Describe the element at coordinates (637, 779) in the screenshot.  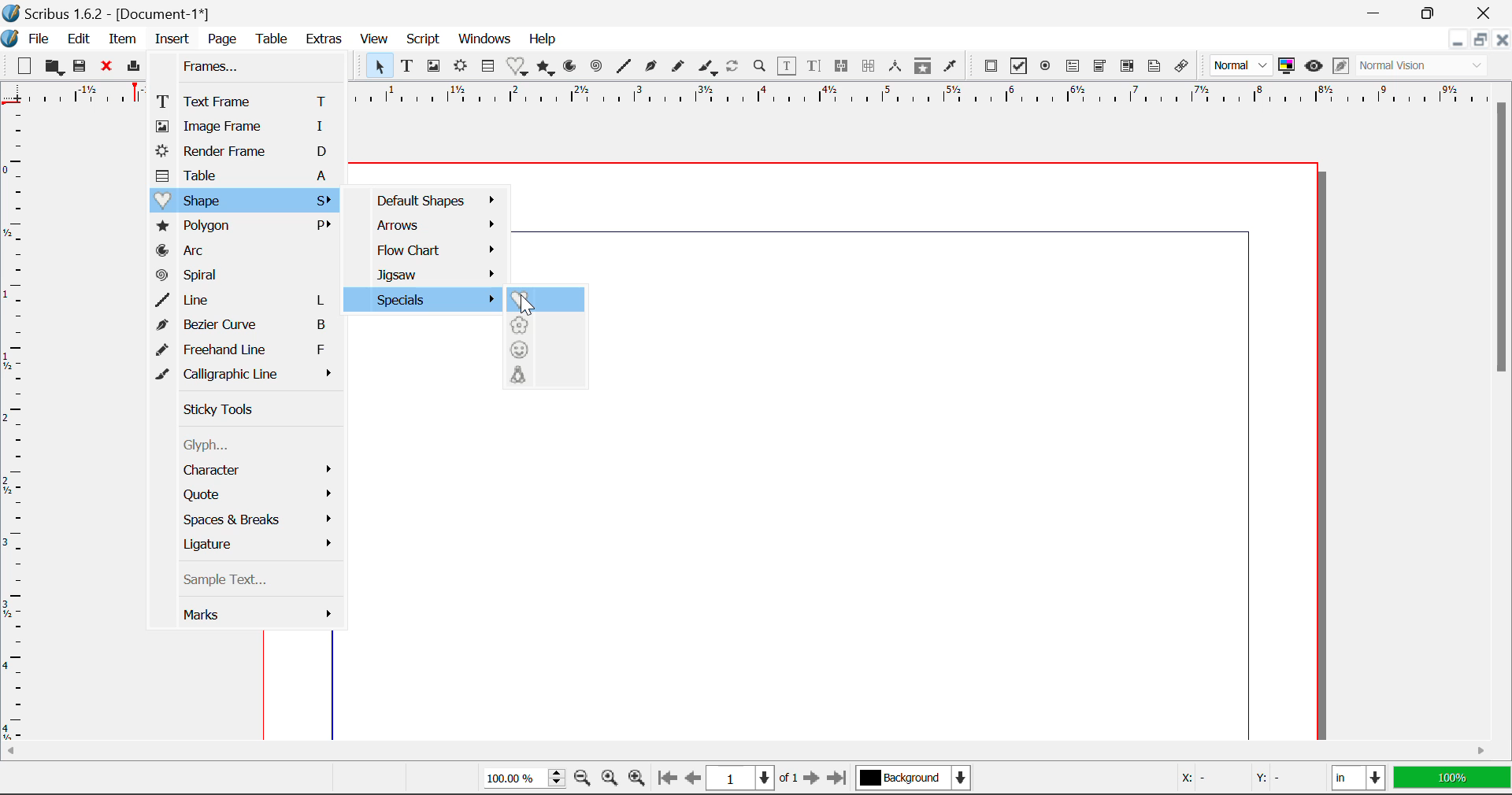
I see `Zoom In` at that location.